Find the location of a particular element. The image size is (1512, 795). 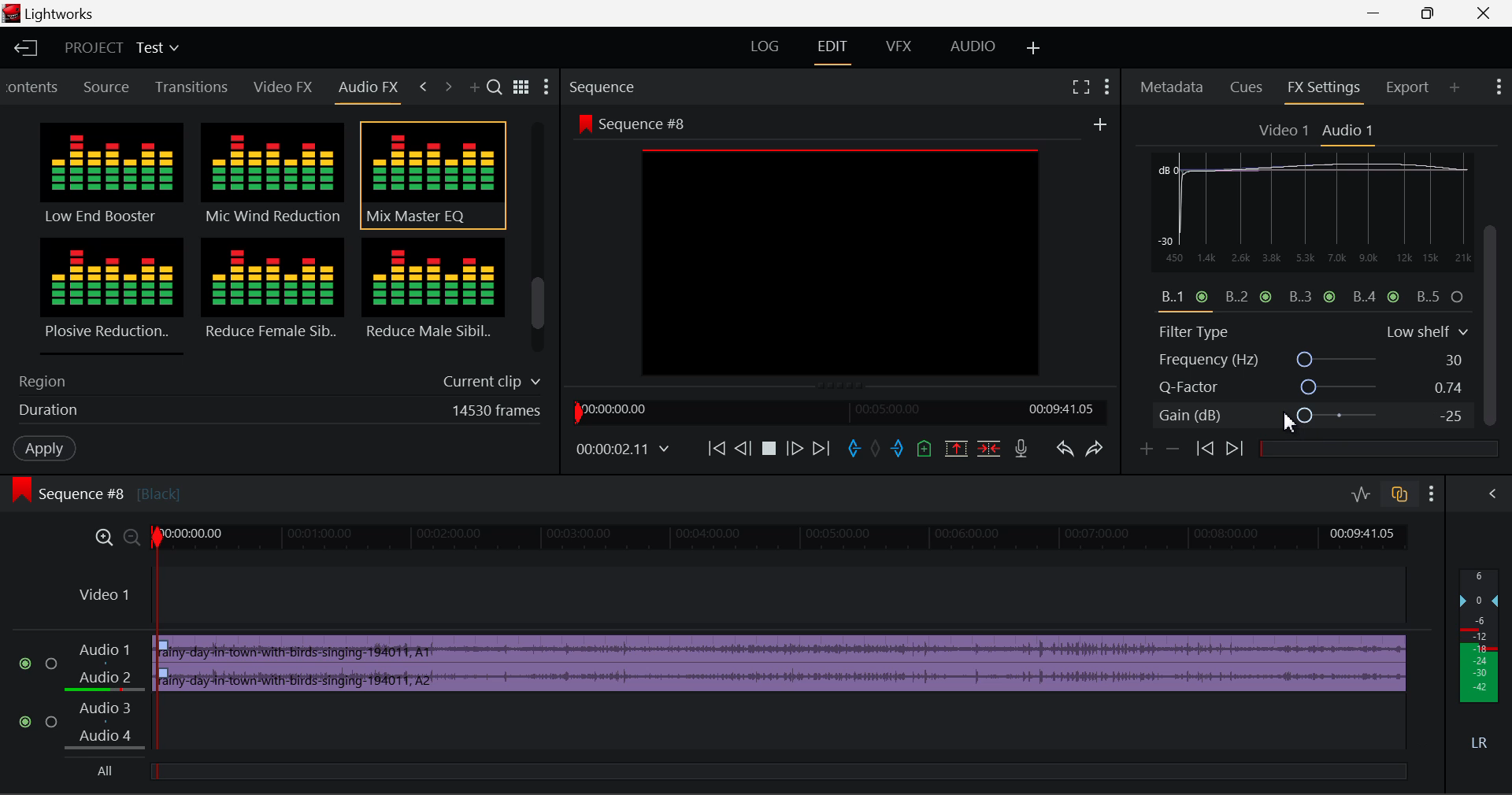

preview is located at coordinates (842, 264).